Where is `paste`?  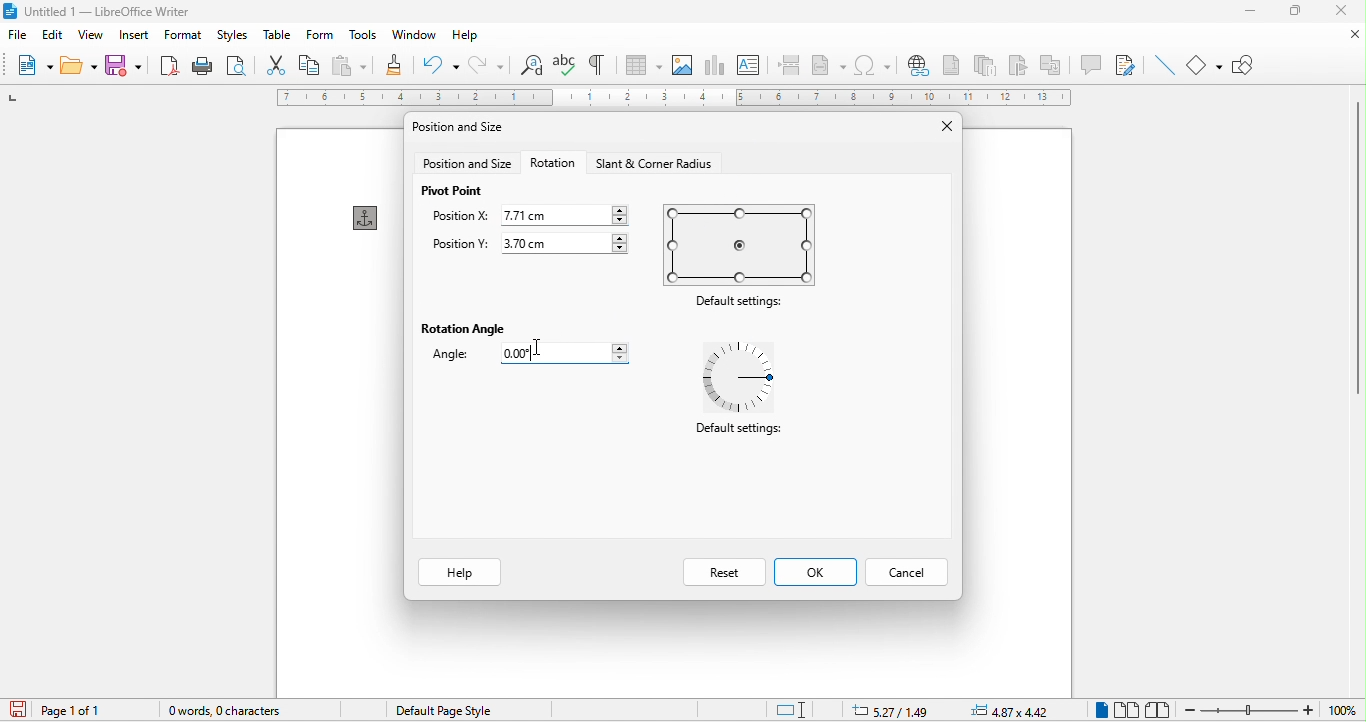
paste is located at coordinates (348, 66).